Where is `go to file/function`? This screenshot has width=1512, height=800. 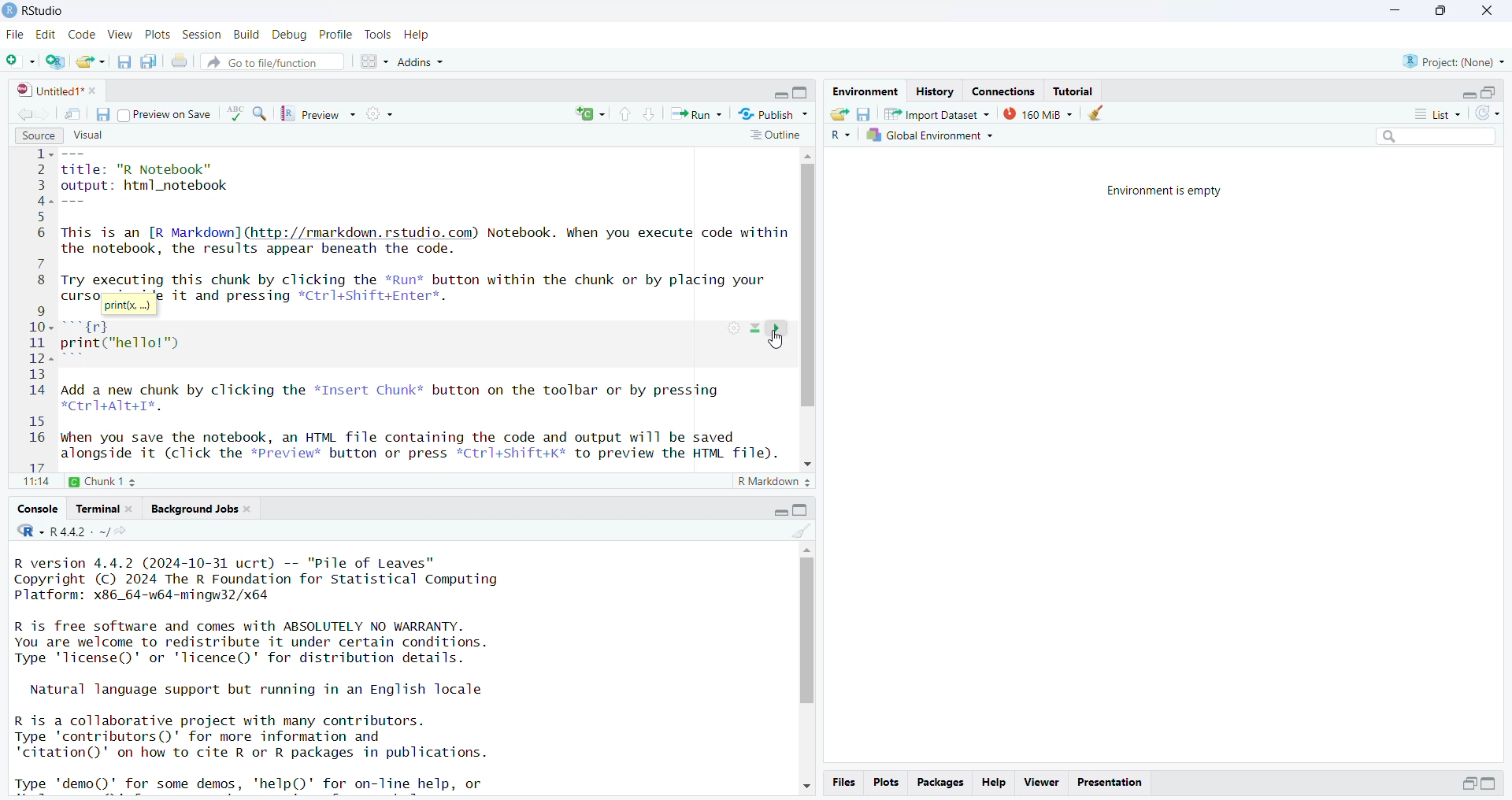
go to file/function is located at coordinates (272, 61).